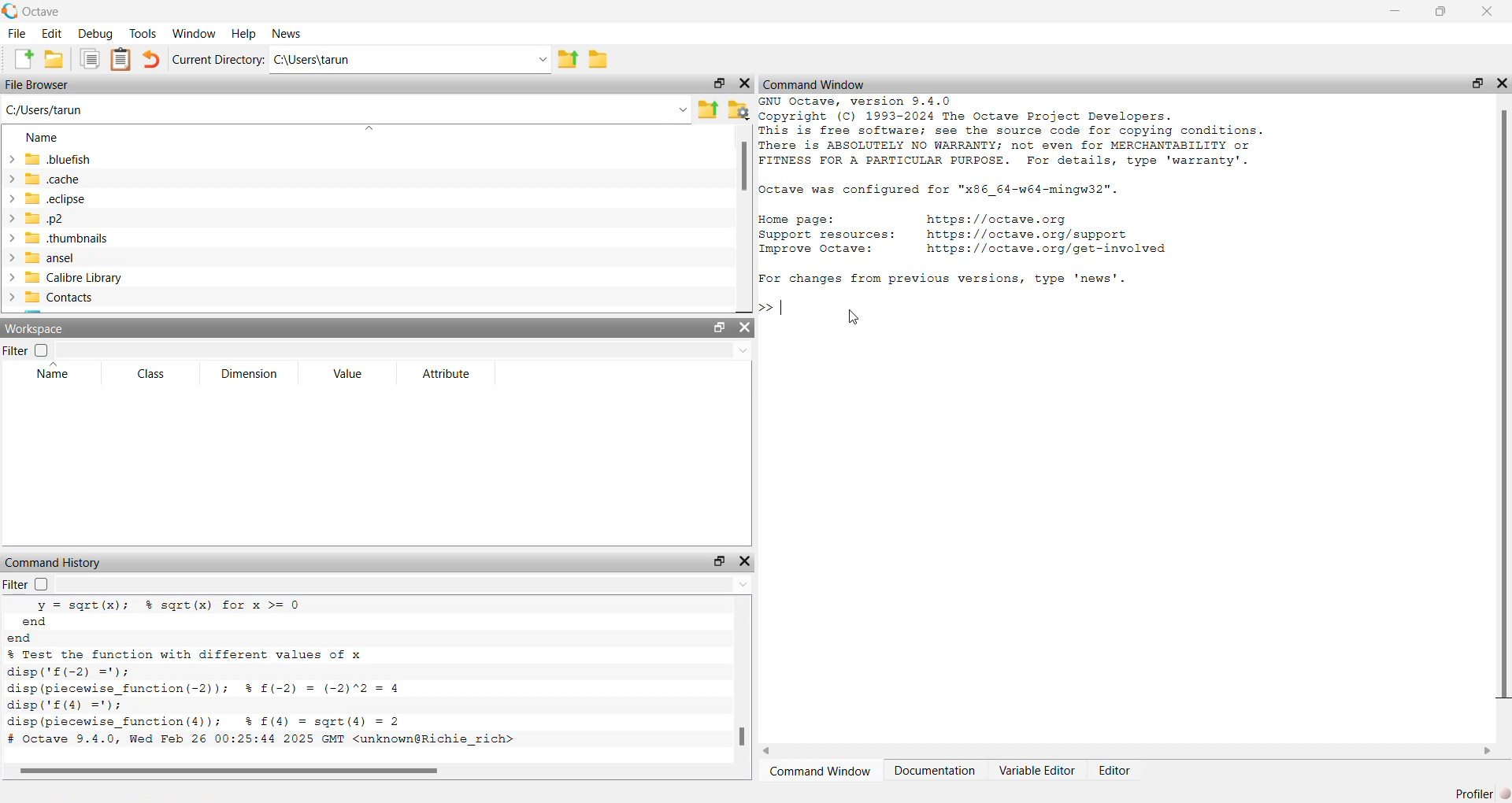 This screenshot has height=803, width=1512. I want to click on Copy, so click(88, 58).